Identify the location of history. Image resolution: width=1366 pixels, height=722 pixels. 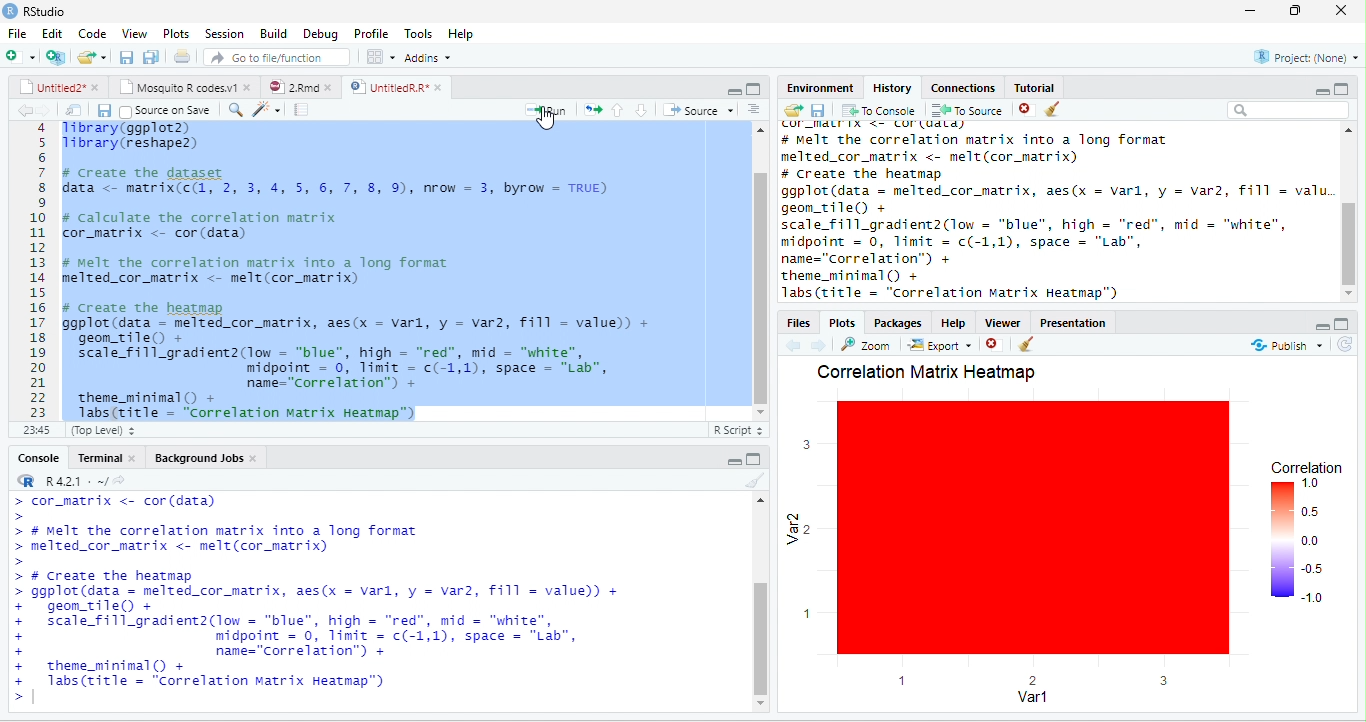
(890, 86).